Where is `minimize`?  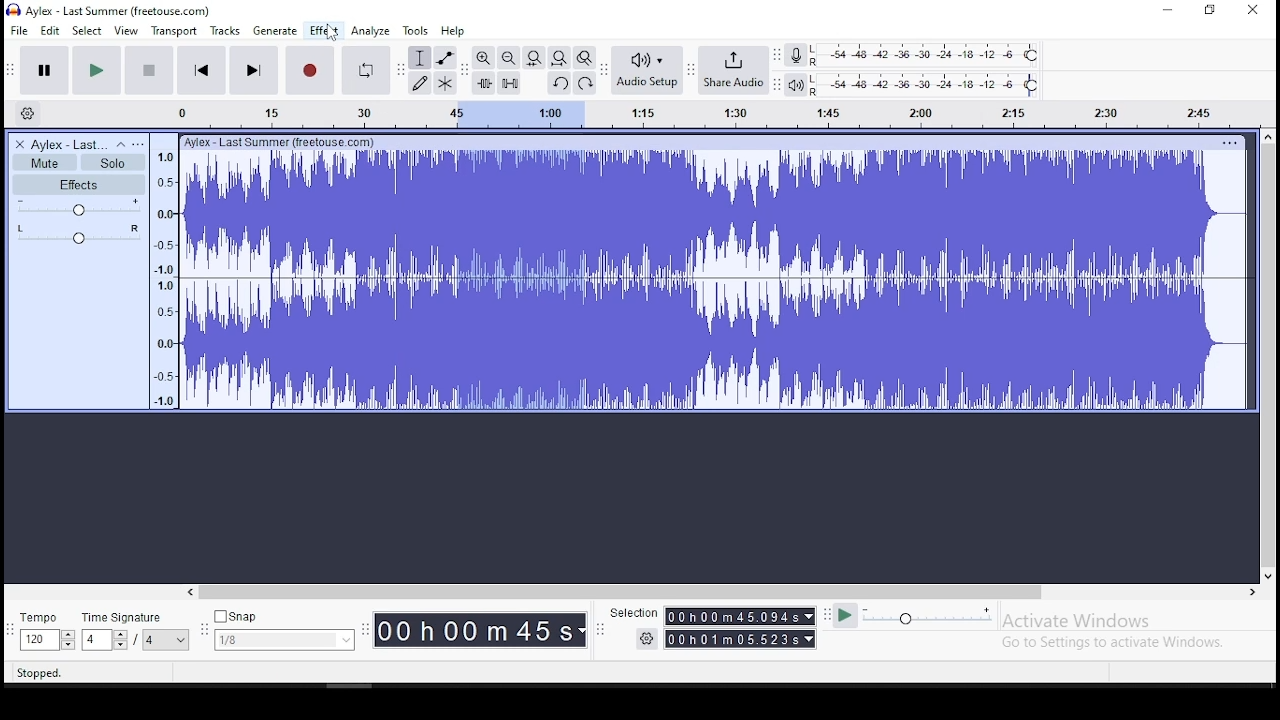 minimize is located at coordinates (1168, 10).